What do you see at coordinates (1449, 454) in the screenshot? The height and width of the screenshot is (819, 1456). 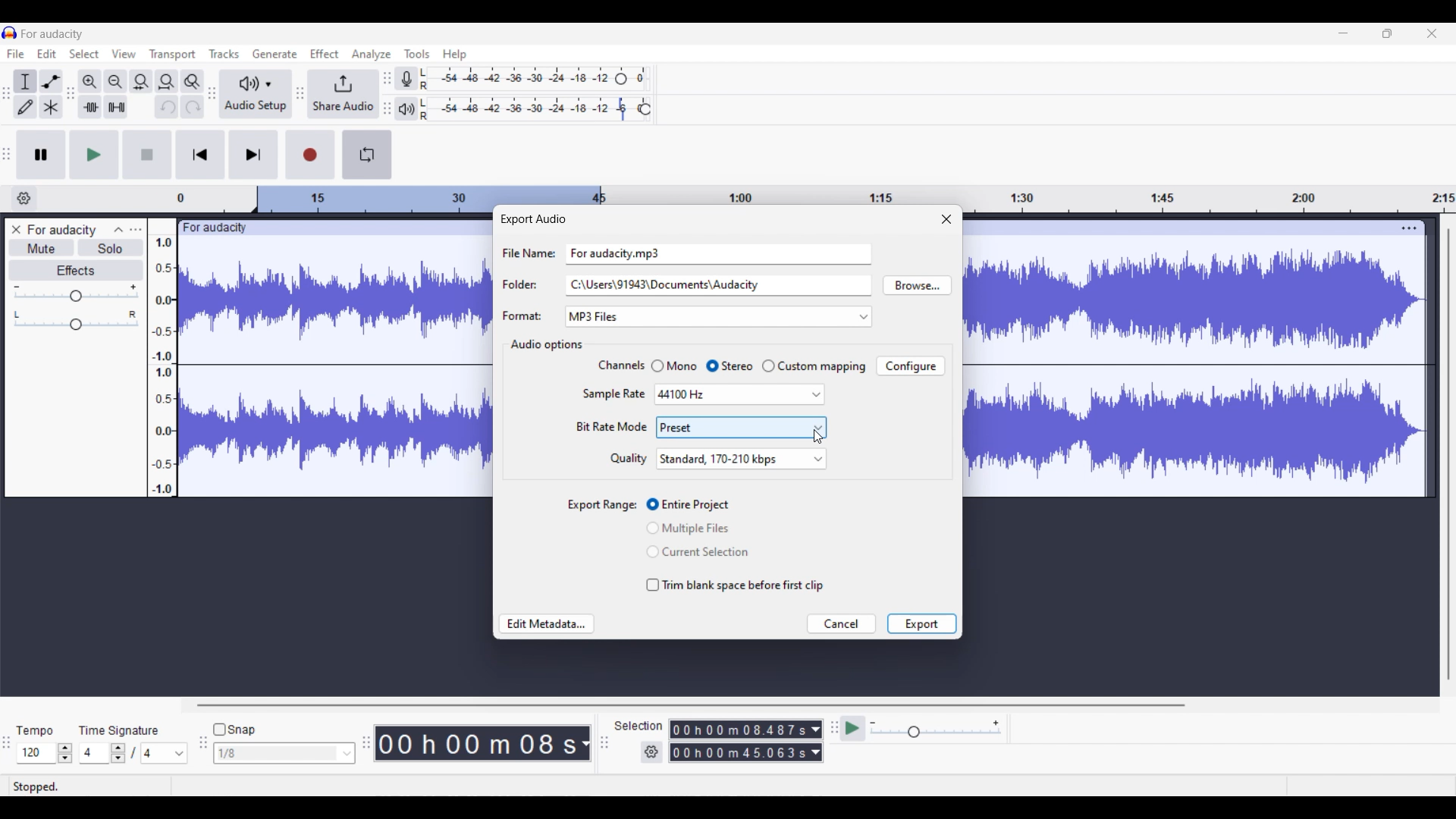 I see `Vertical slide bar` at bounding box center [1449, 454].